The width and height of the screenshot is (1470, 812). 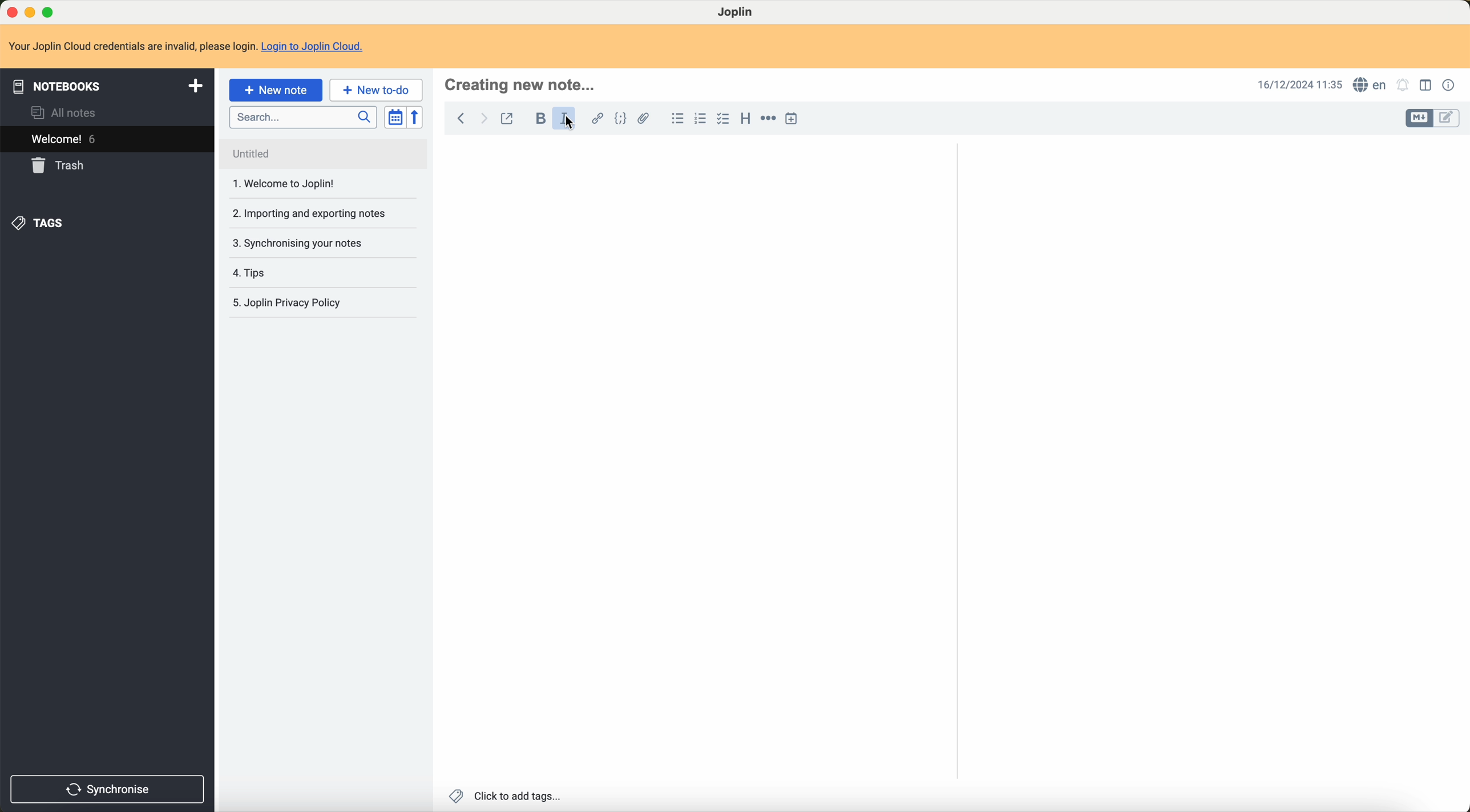 What do you see at coordinates (10, 10) in the screenshot?
I see `close program` at bounding box center [10, 10].